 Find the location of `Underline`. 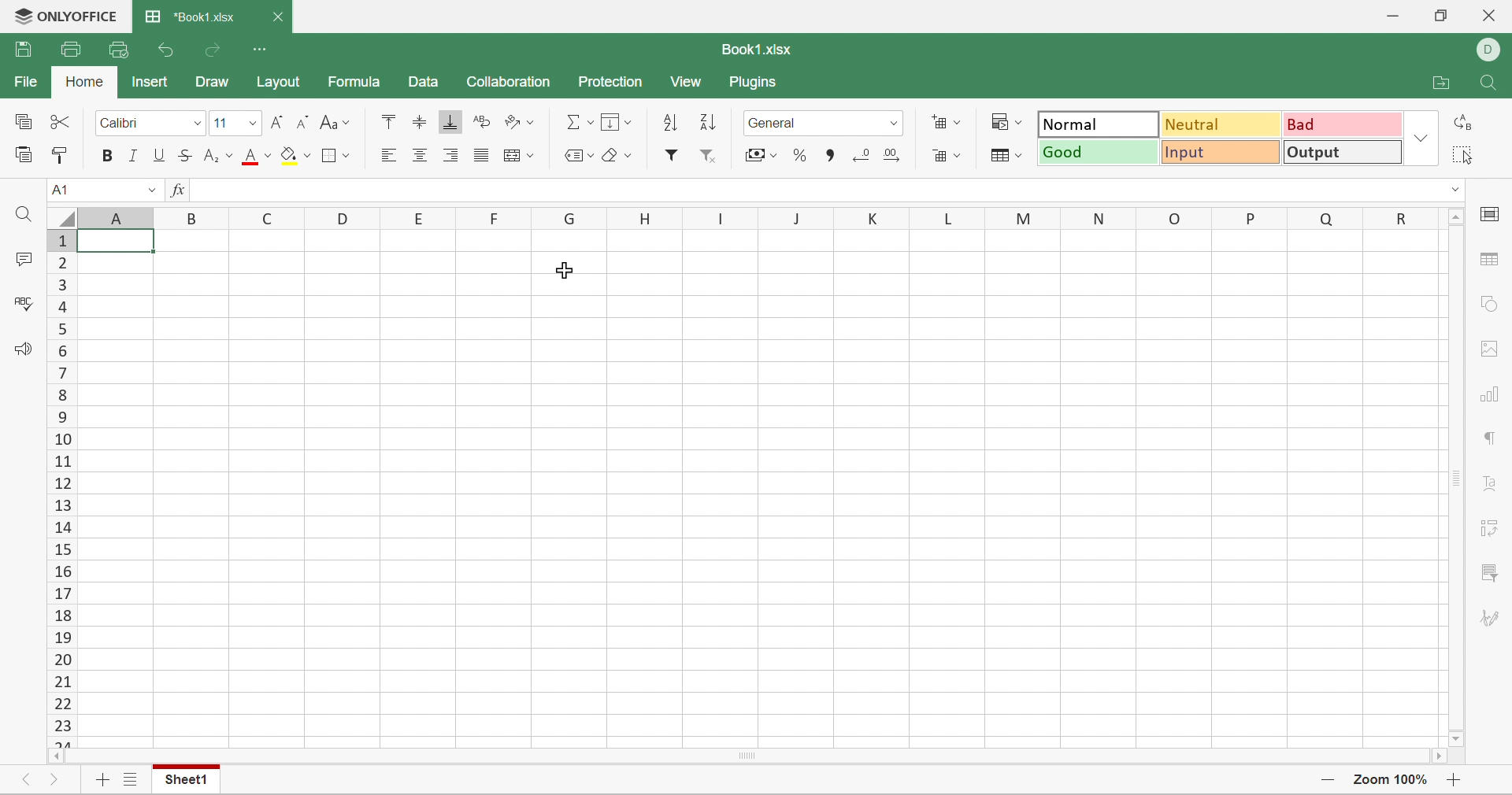

Underline is located at coordinates (157, 158).